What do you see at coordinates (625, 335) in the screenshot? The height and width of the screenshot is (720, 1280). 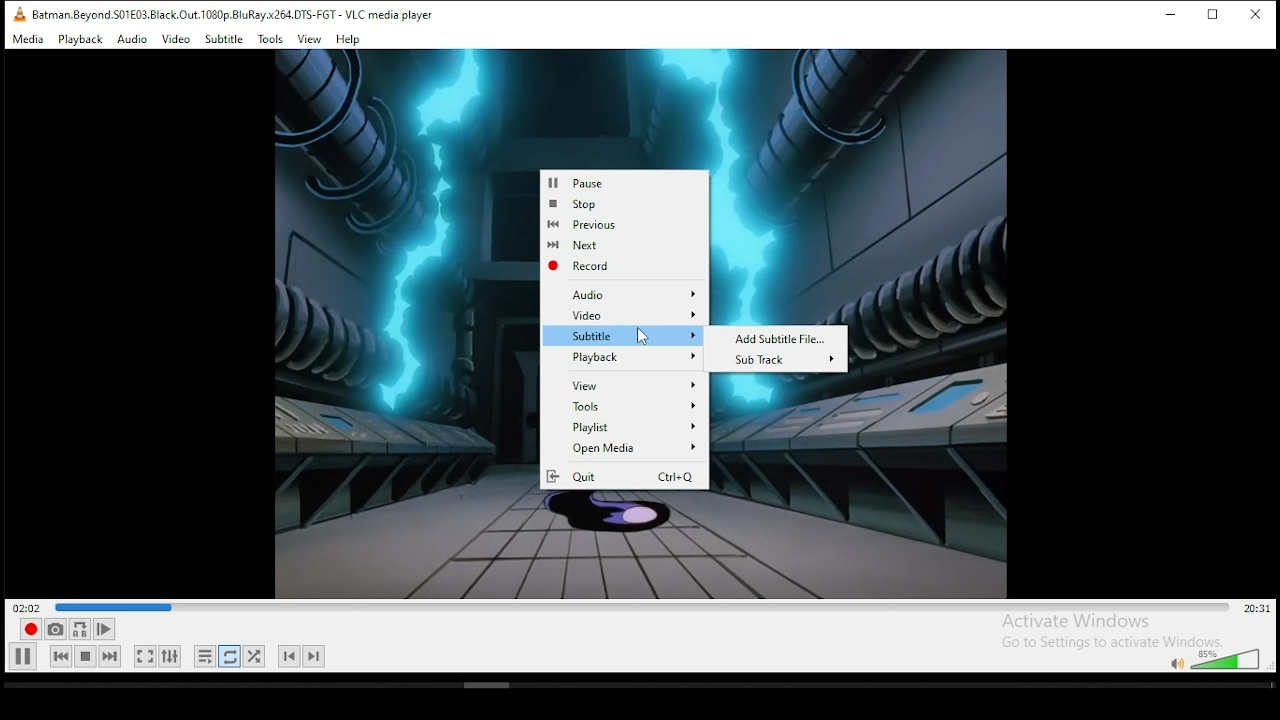 I see `subtitles` at bounding box center [625, 335].